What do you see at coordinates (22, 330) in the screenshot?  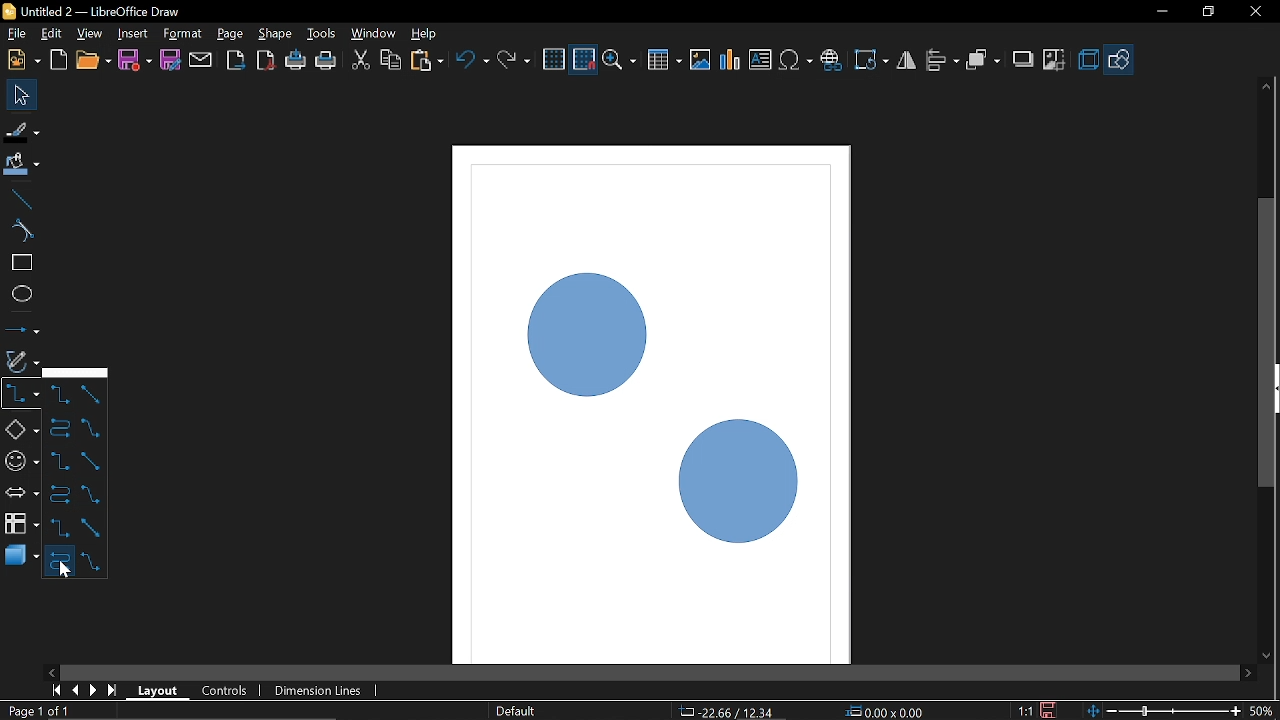 I see `Lines and arrows` at bounding box center [22, 330].